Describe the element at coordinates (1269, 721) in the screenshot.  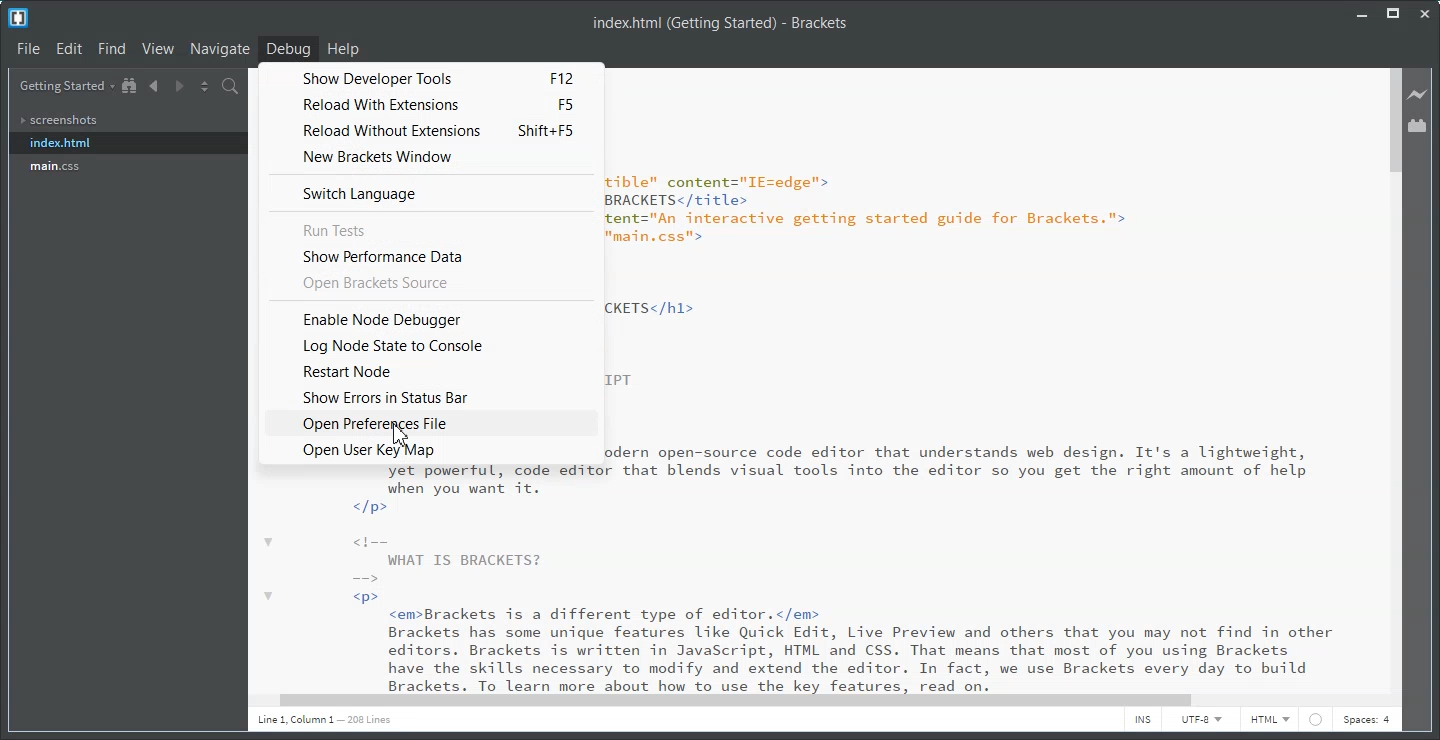
I see `HTML` at that location.